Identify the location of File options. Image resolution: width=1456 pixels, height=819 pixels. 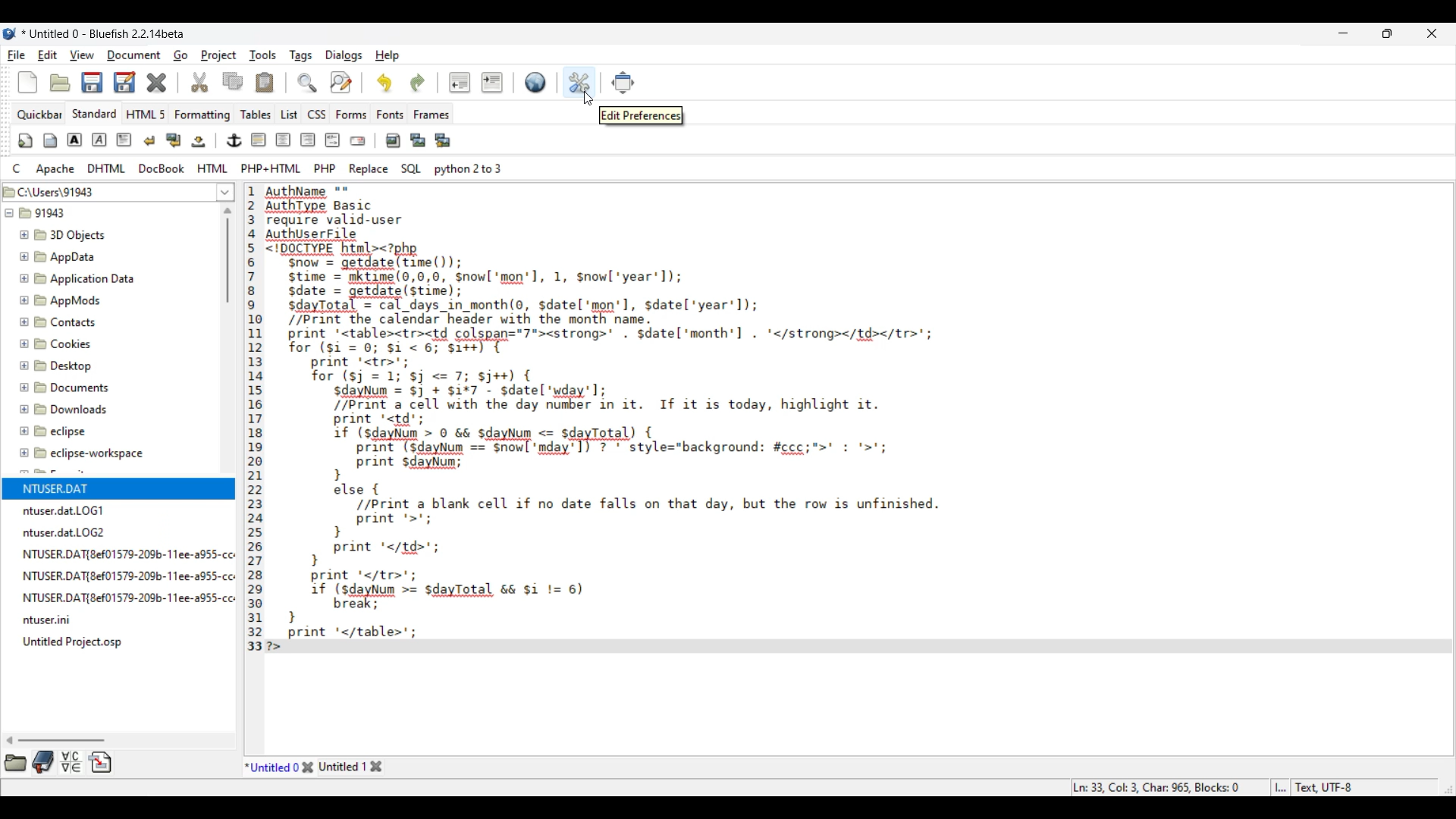
(226, 193).